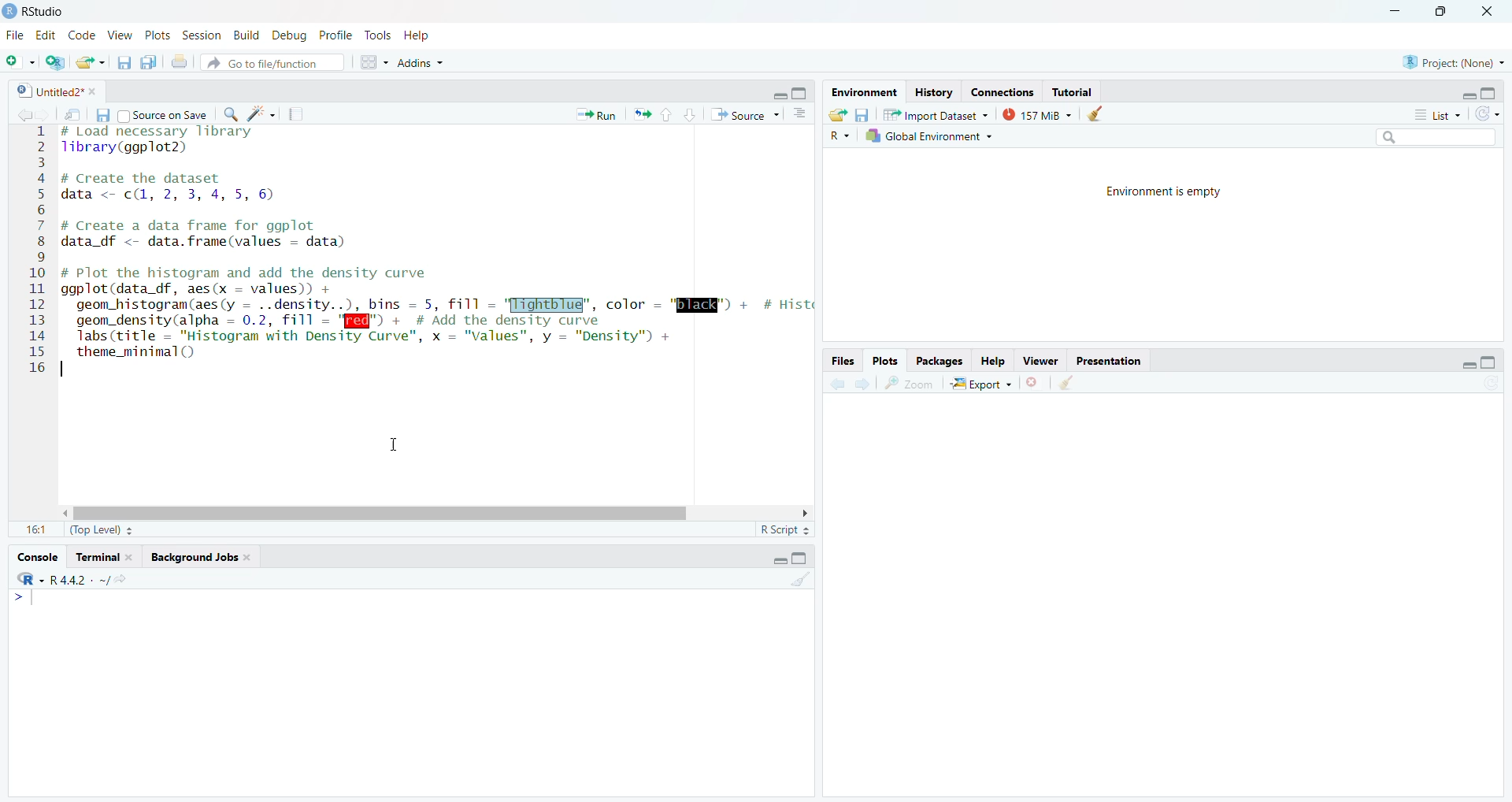  Describe the element at coordinates (95, 89) in the screenshot. I see `close` at that location.